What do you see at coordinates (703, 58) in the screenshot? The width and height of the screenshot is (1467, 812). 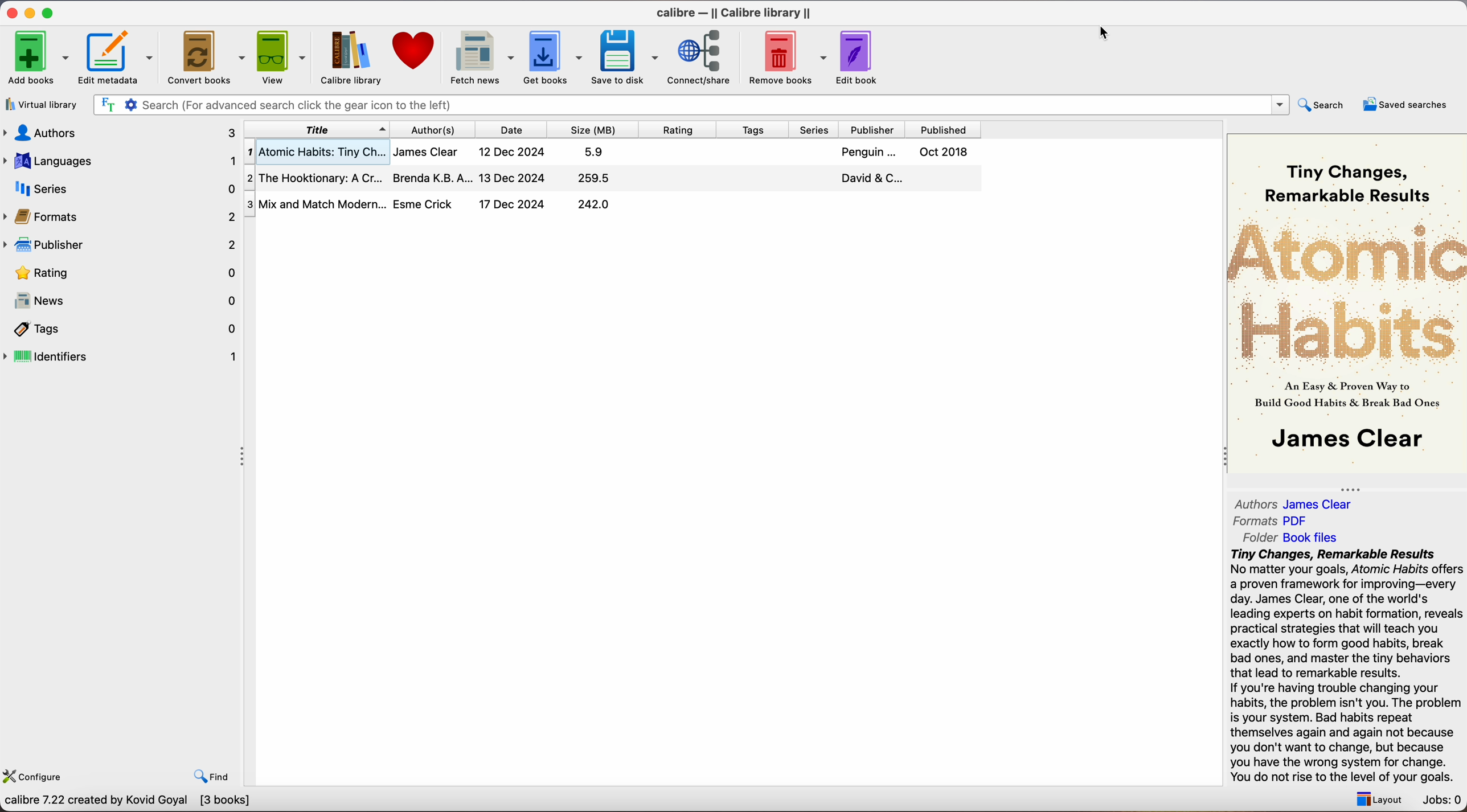 I see `connect/share` at bounding box center [703, 58].